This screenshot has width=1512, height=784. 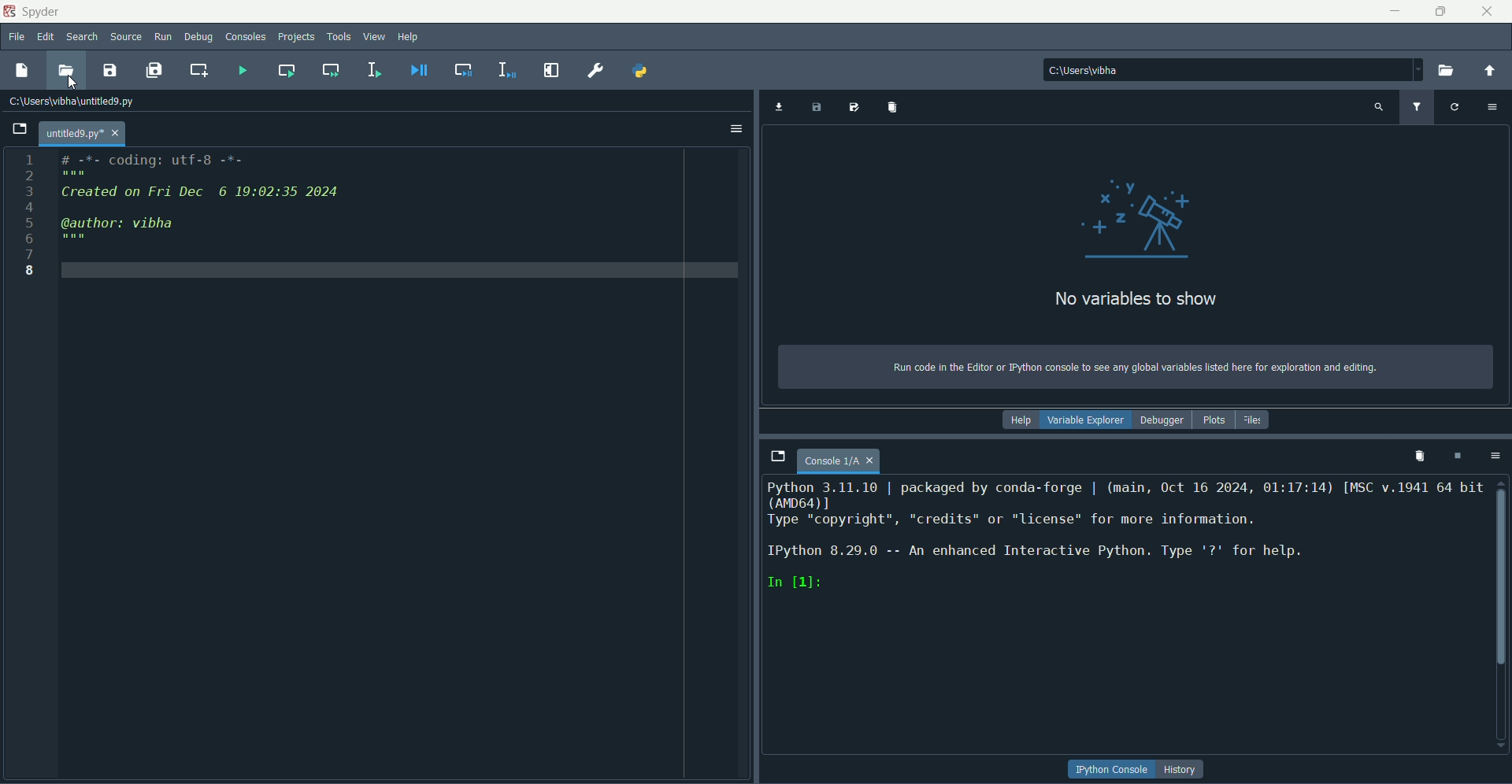 What do you see at coordinates (1024, 421) in the screenshot?
I see `help` at bounding box center [1024, 421].